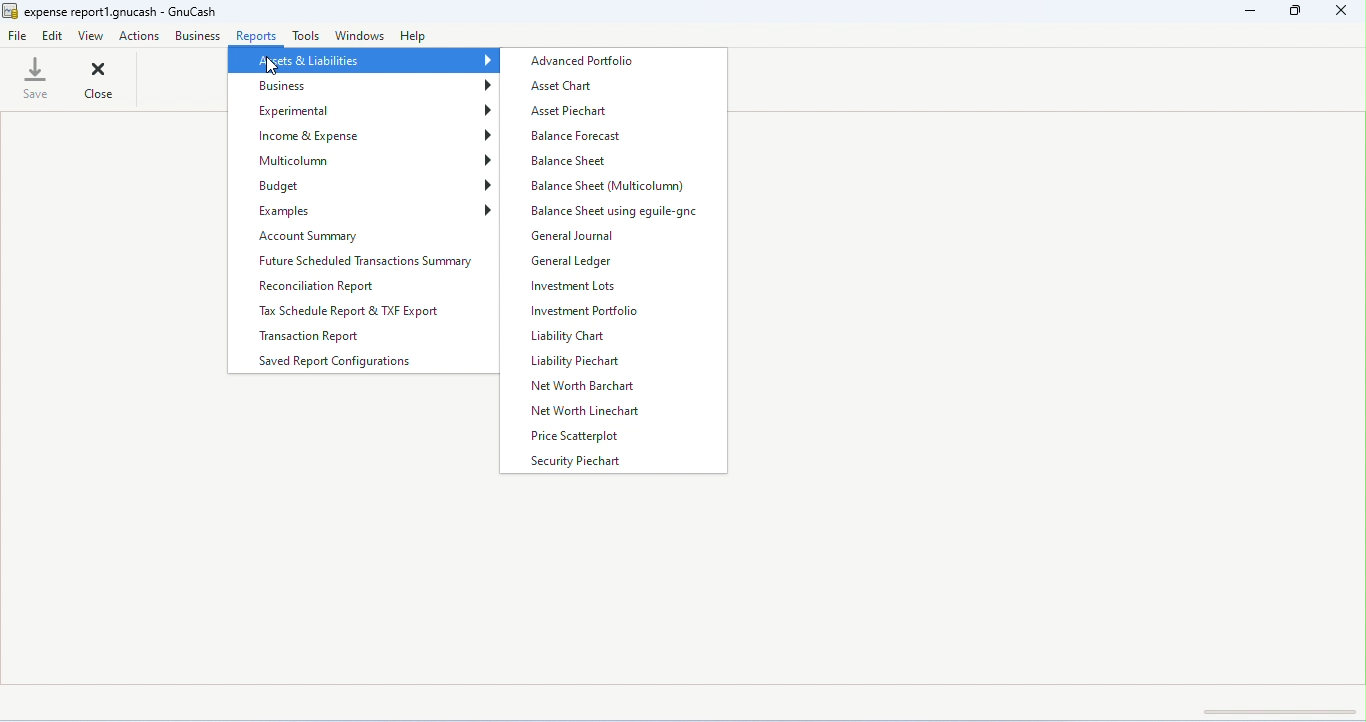 Image resolution: width=1366 pixels, height=722 pixels. Describe the element at coordinates (569, 112) in the screenshot. I see `asset piechart` at that location.